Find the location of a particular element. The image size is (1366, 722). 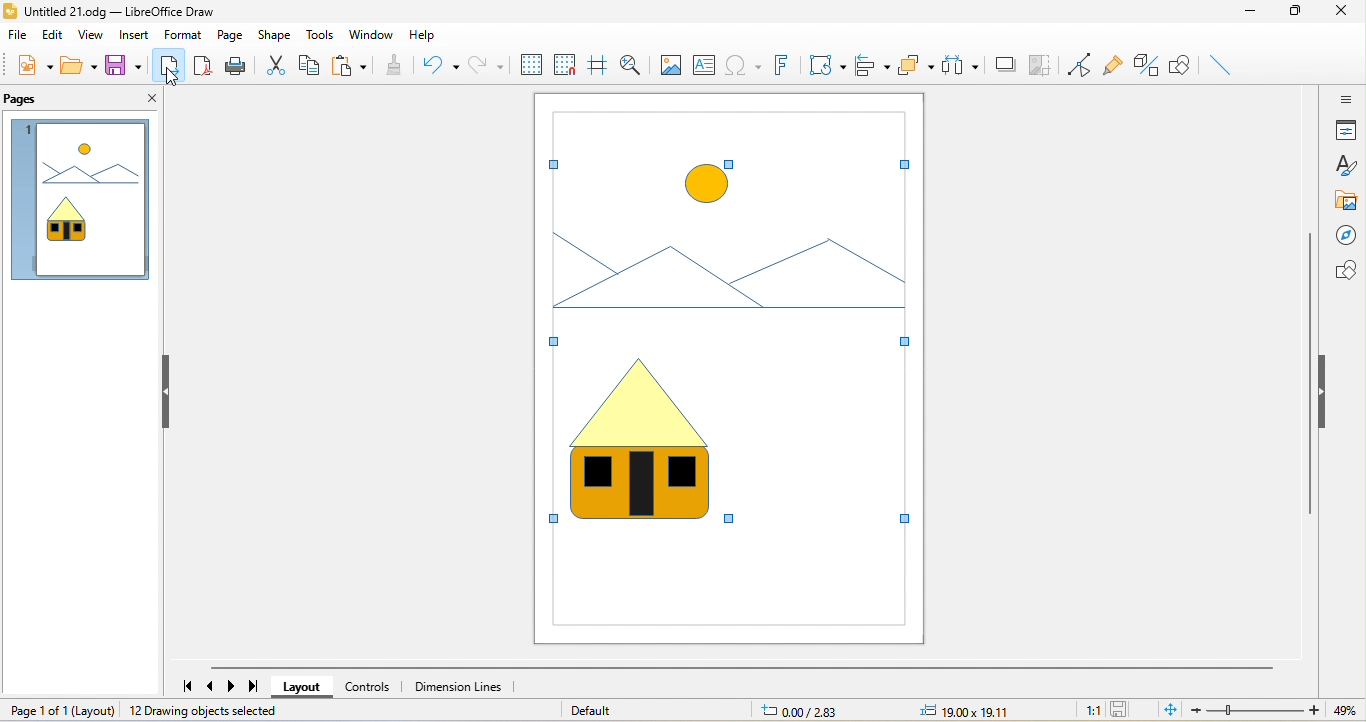

export is located at coordinates (169, 64).